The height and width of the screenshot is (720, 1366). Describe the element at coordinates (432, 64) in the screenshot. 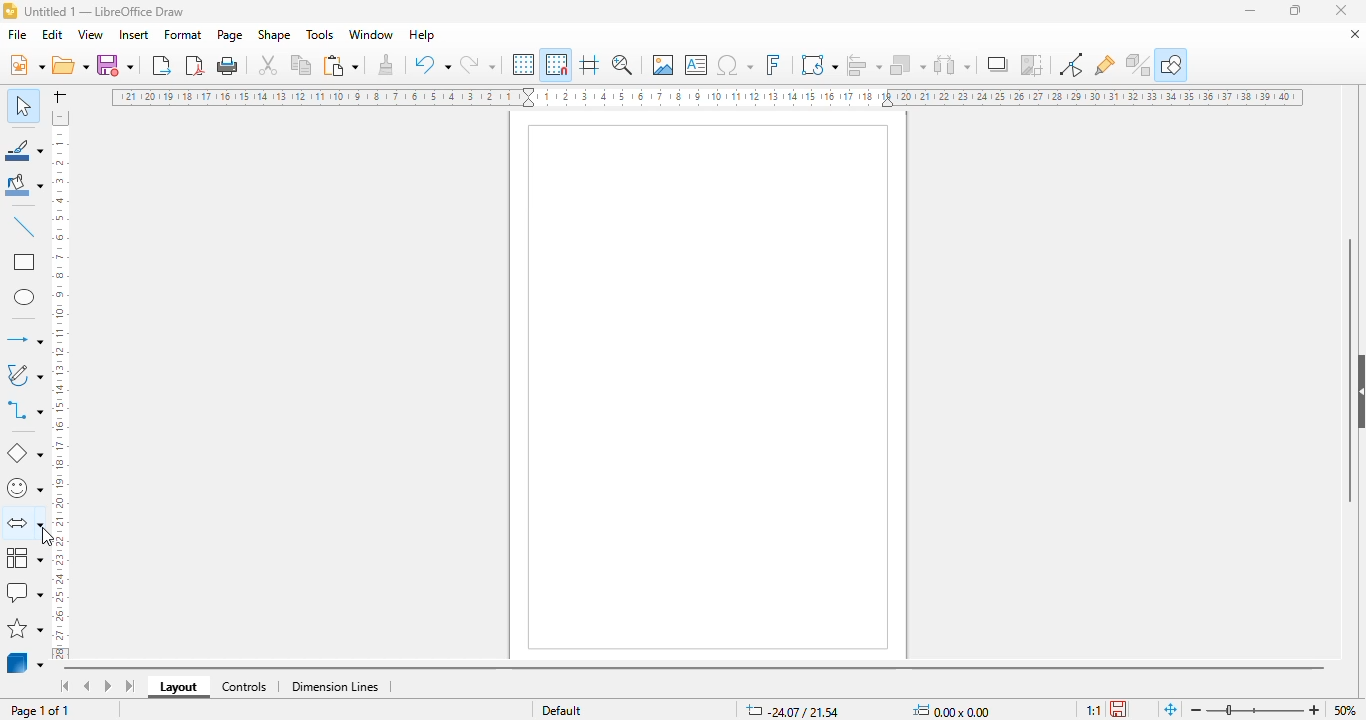

I see `undo` at that location.